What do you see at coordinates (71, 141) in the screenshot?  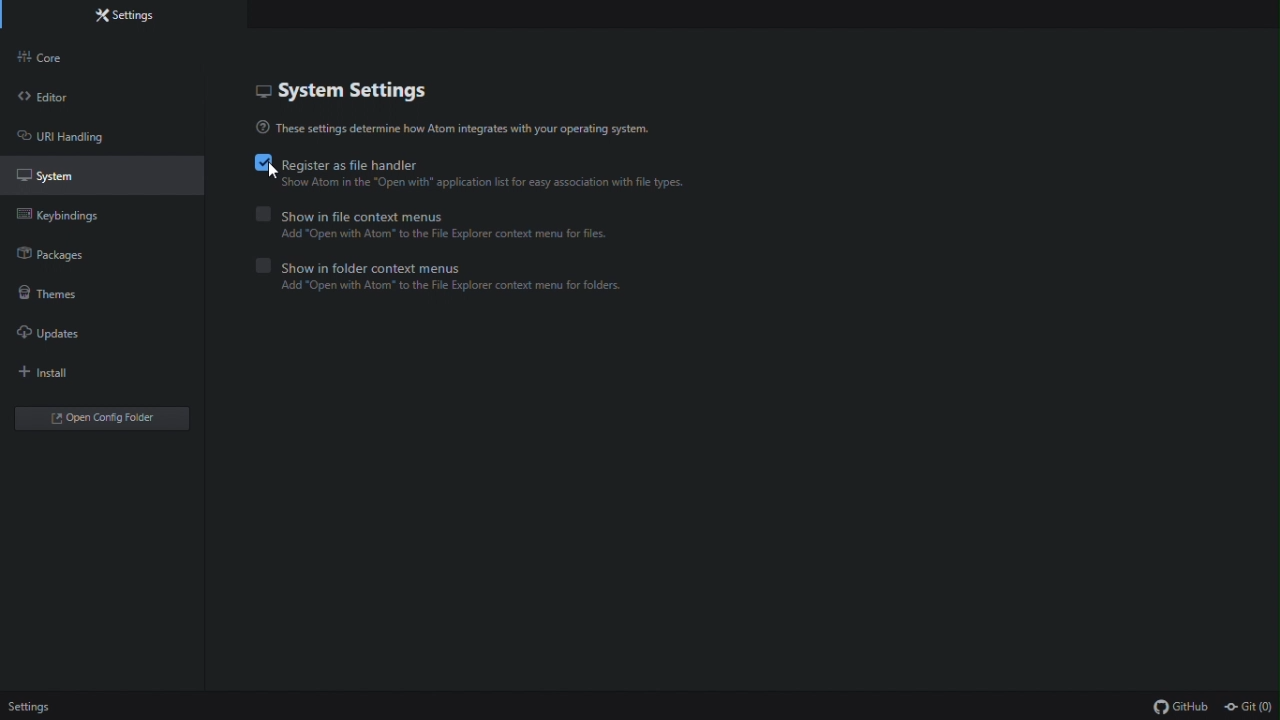 I see `URL handling` at bounding box center [71, 141].